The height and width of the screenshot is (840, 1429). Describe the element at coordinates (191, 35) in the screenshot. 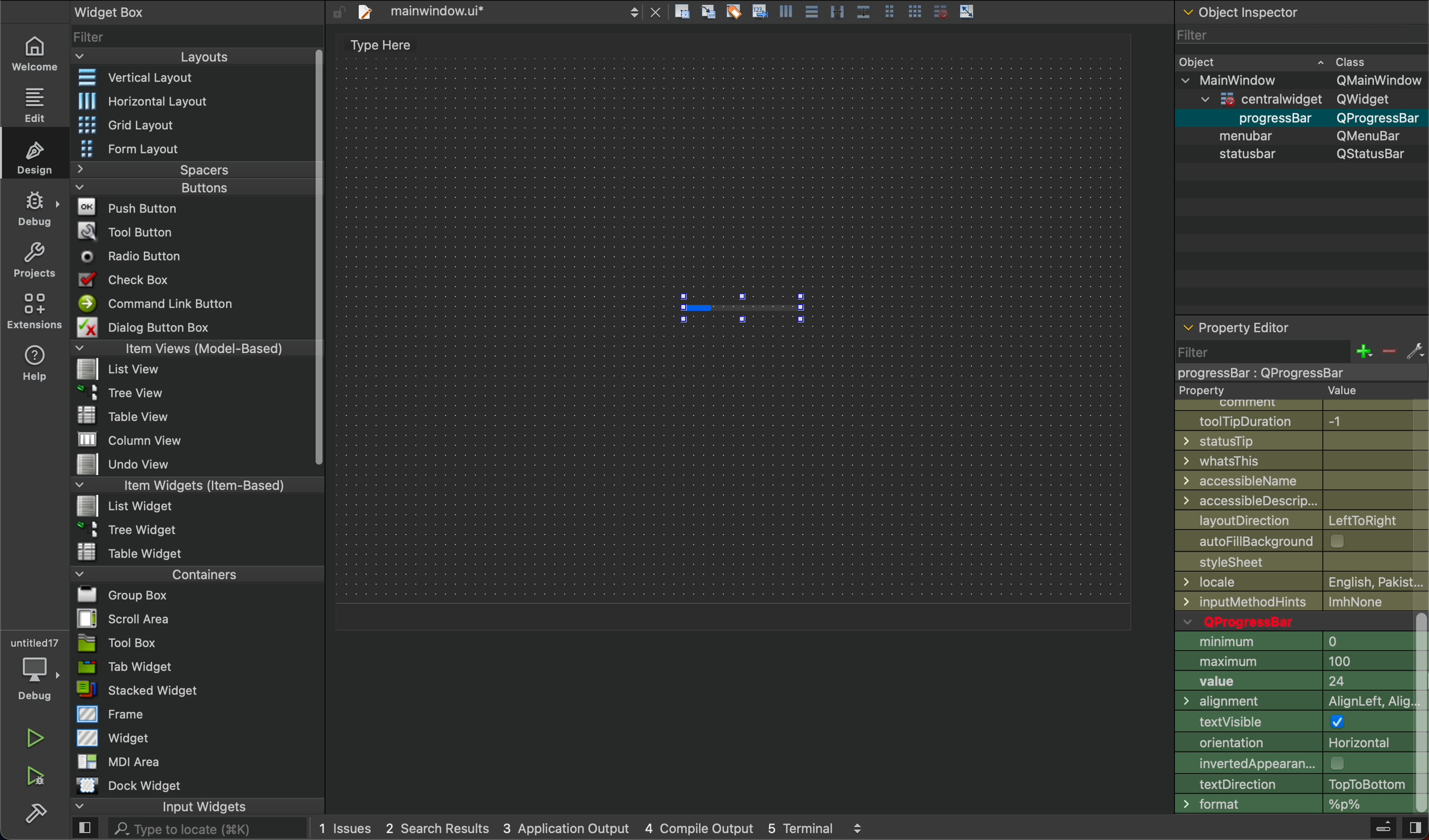

I see `widget list` at that location.